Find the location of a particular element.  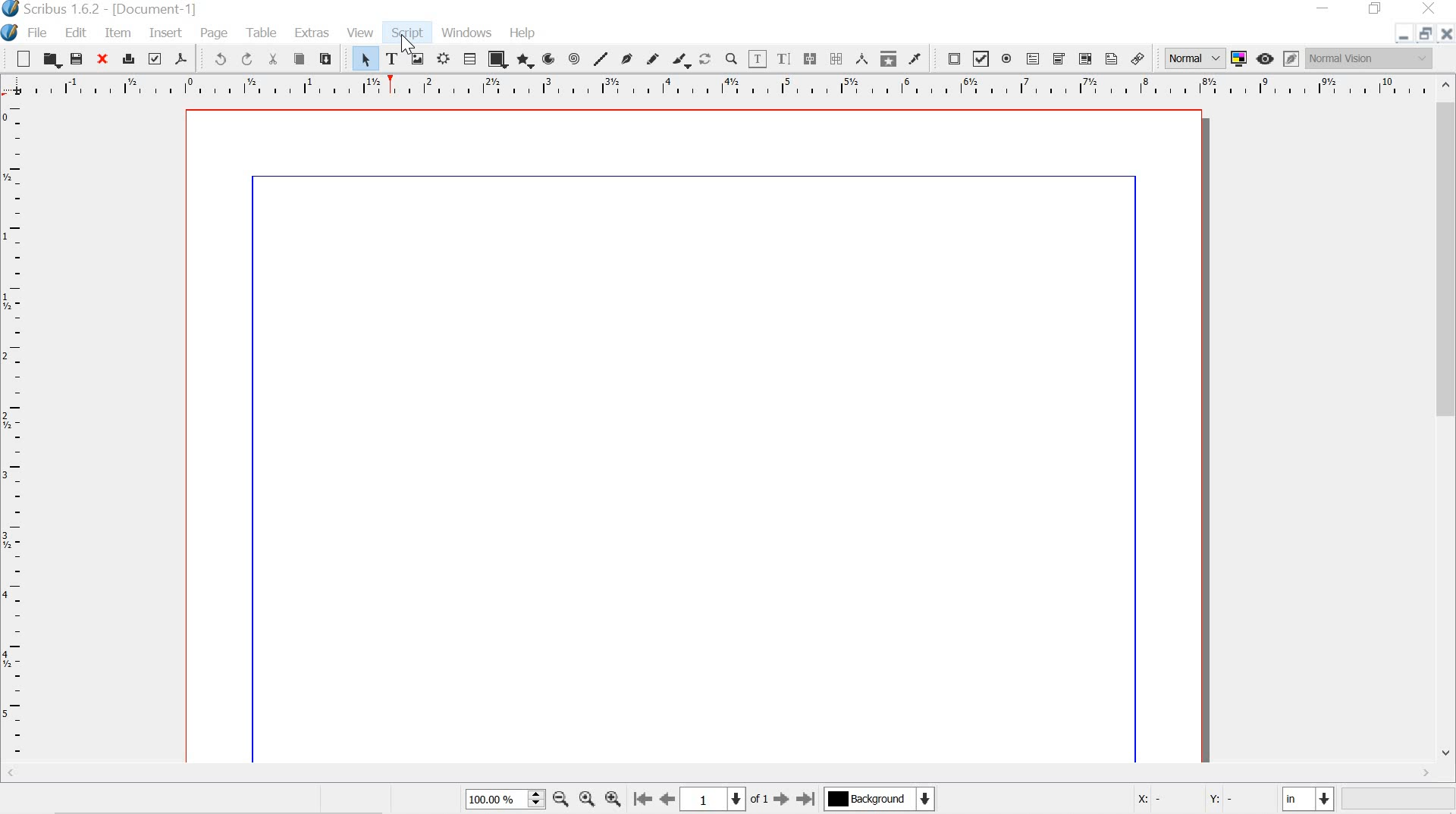

minimize is located at coordinates (1401, 37).